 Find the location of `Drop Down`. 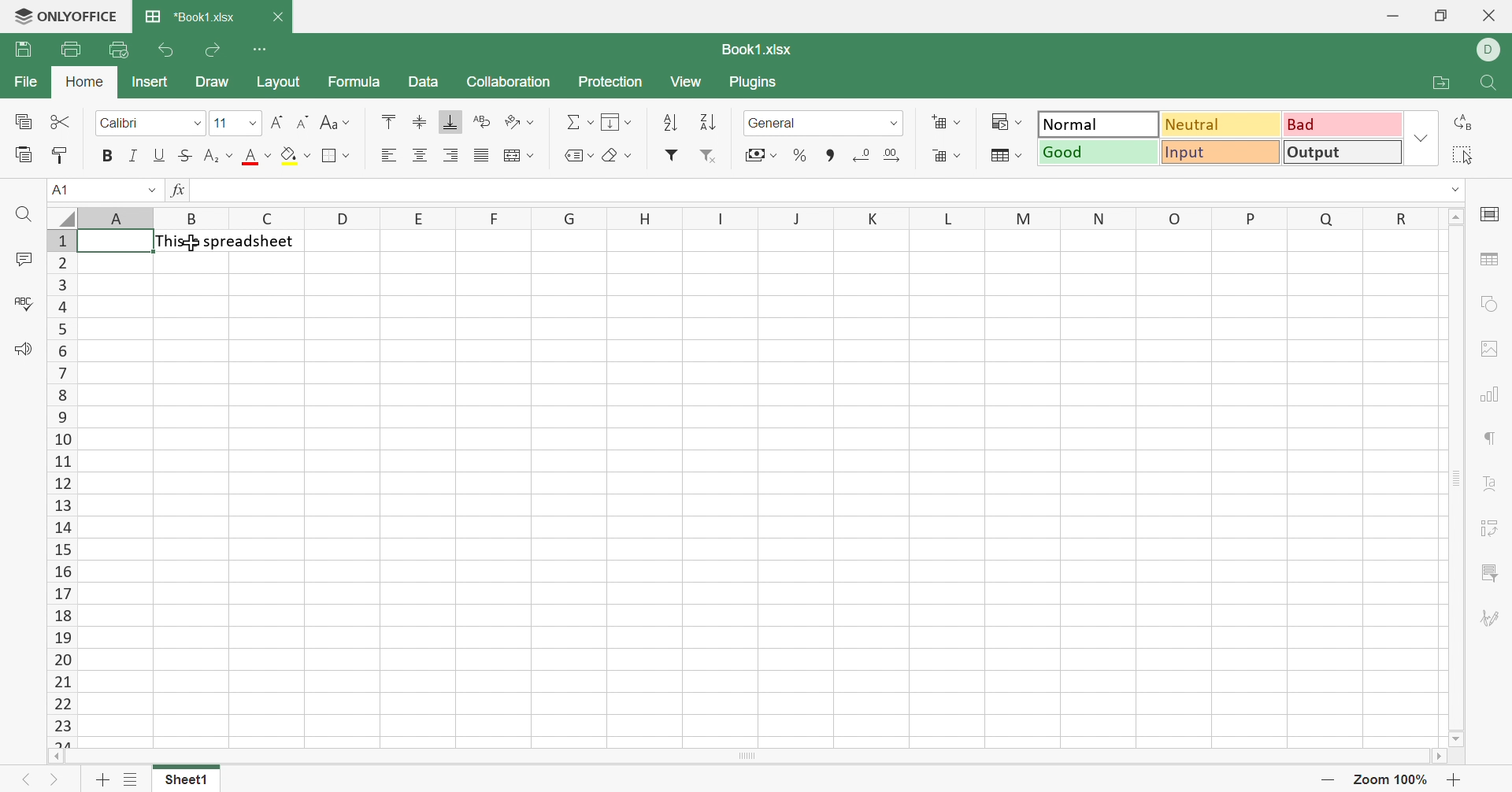

Drop Down is located at coordinates (1020, 154).